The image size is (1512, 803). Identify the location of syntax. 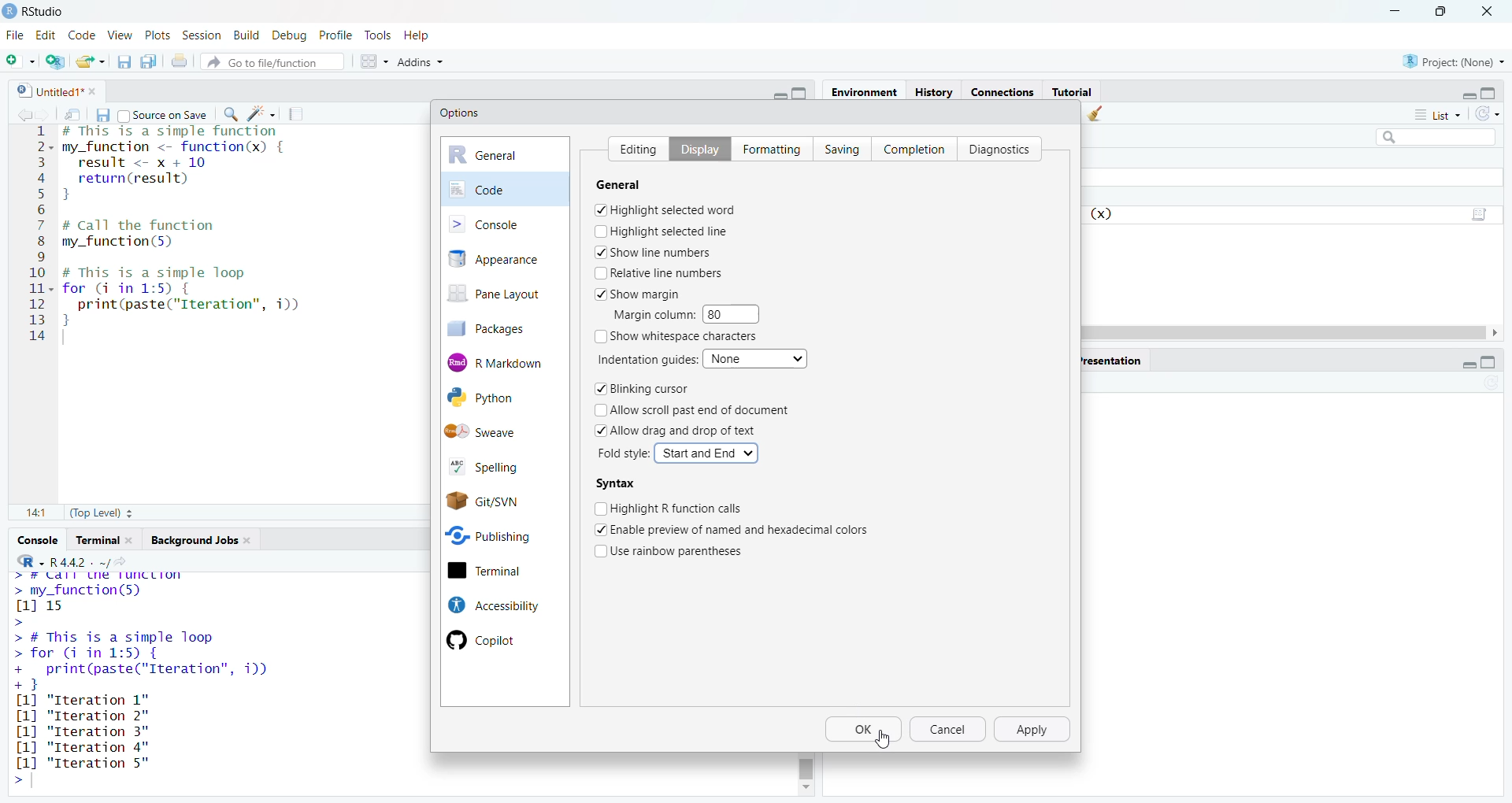
(615, 484).